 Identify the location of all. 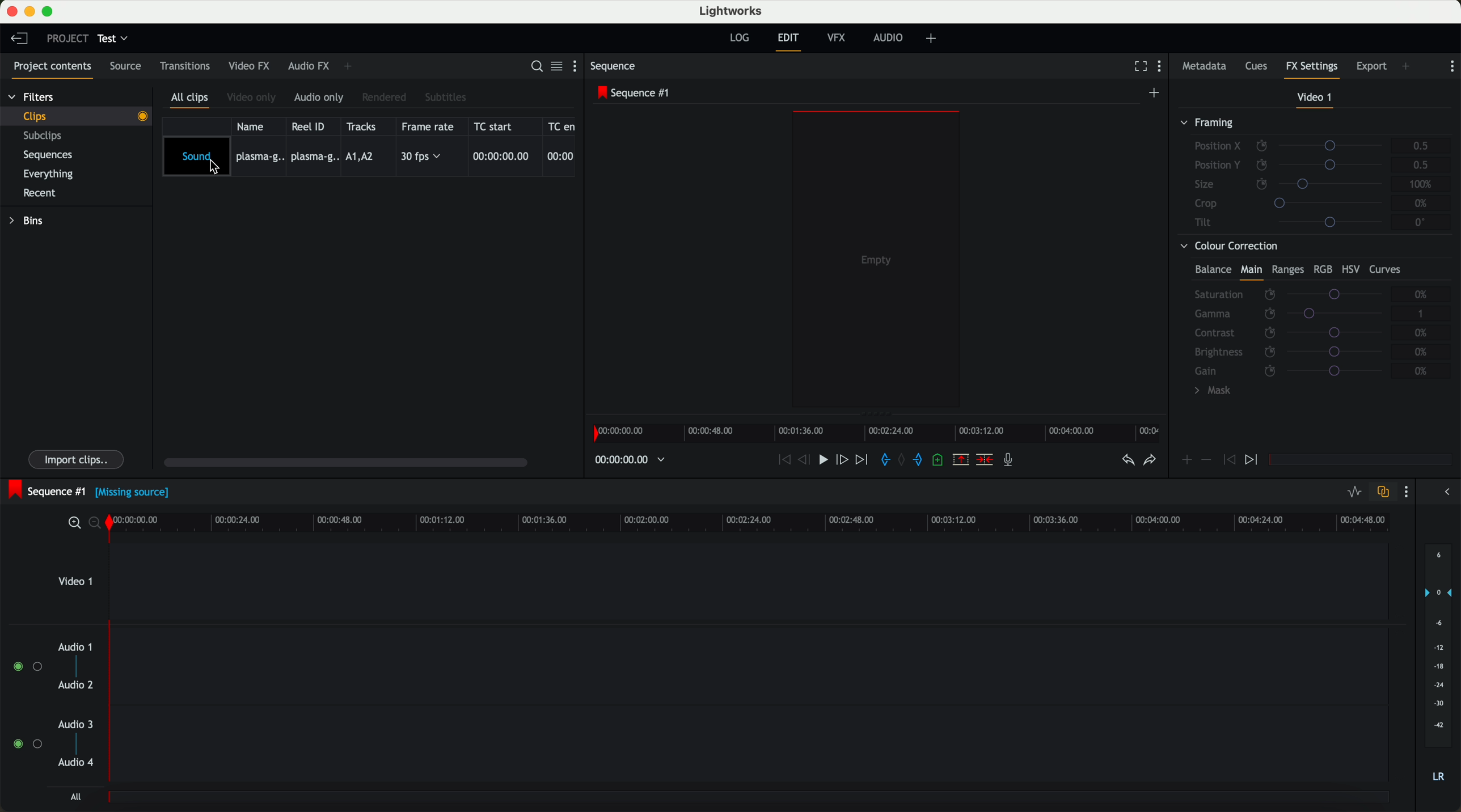
(74, 798).